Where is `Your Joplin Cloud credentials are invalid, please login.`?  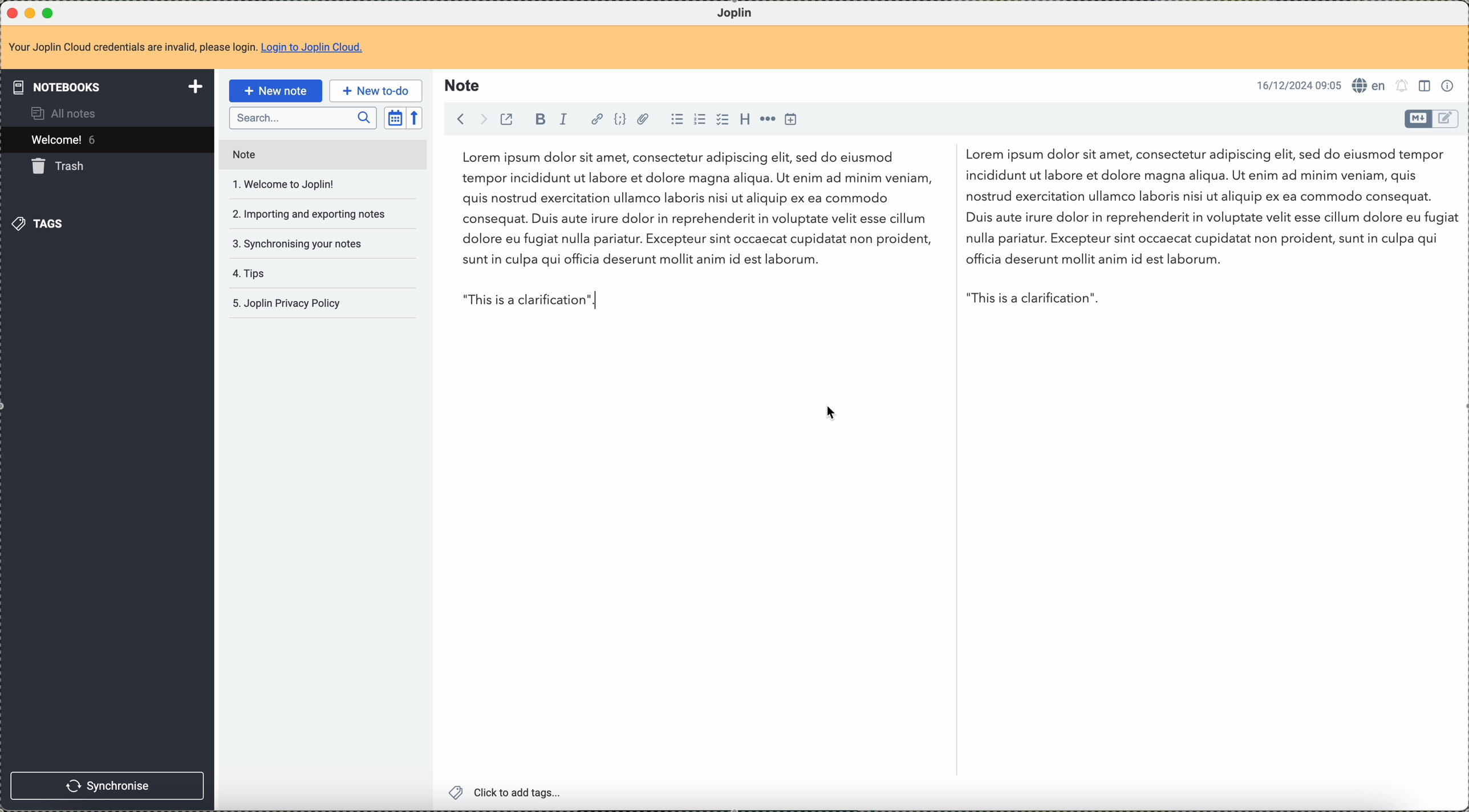
Your Joplin Cloud credentials are invalid, please login. is located at coordinates (132, 49).